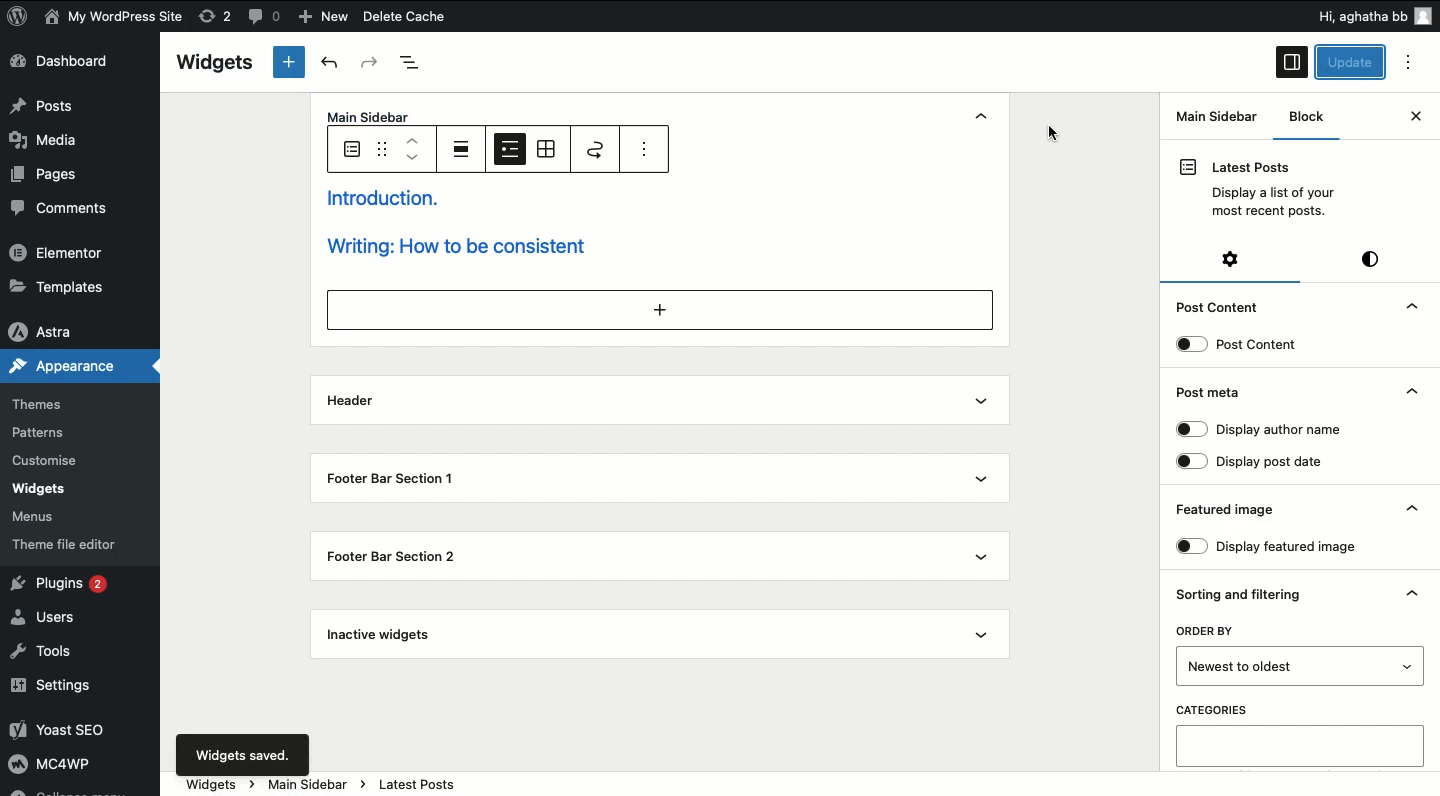 Image resolution: width=1440 pixels, height=796 pixels. I want to click on logo, so click(21, 21).